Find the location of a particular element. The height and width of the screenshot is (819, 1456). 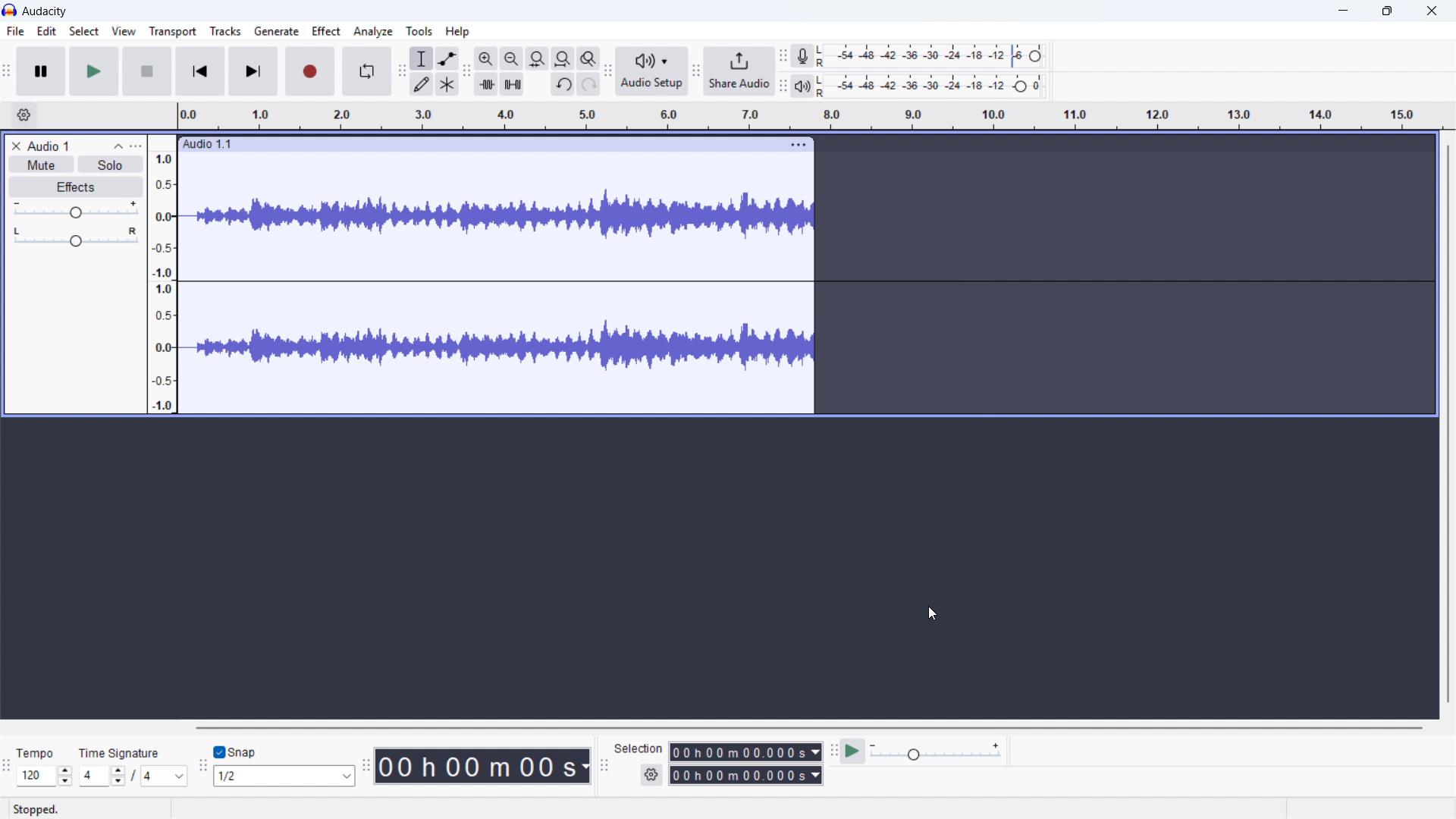

Timeline  is located at coordinates (811, 116).